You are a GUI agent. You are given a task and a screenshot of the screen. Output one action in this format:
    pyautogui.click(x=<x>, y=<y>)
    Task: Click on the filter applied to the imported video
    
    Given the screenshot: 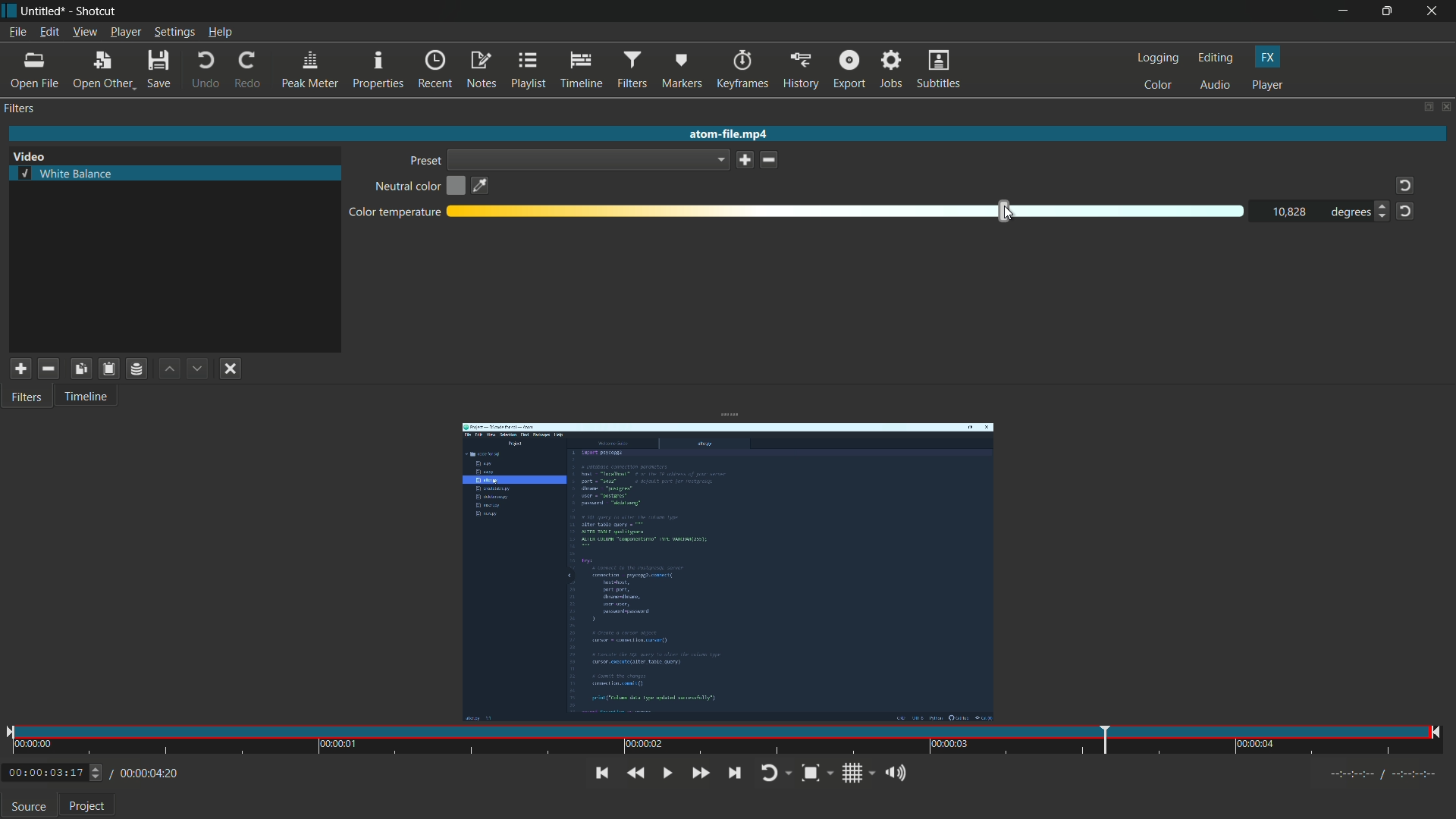 What is the action you would take?
    pyautogui.click(x=727, y=575)
    